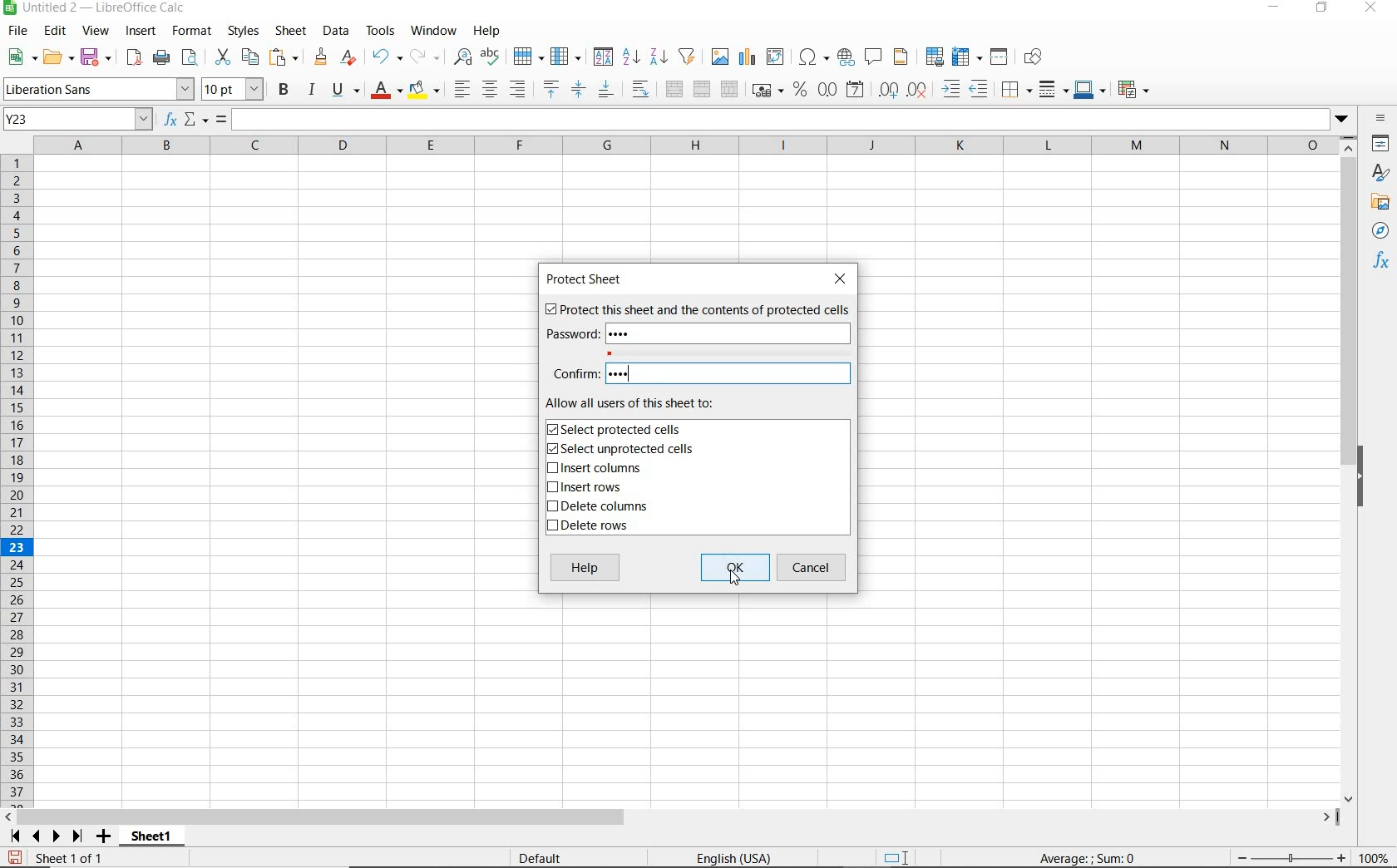 The width and height of the screenshot is (1397, 868). What do you see at coordinates (196, 121) in the screenshot?
I see `SELECT FUNCTION` at bounding box center [196, 121].